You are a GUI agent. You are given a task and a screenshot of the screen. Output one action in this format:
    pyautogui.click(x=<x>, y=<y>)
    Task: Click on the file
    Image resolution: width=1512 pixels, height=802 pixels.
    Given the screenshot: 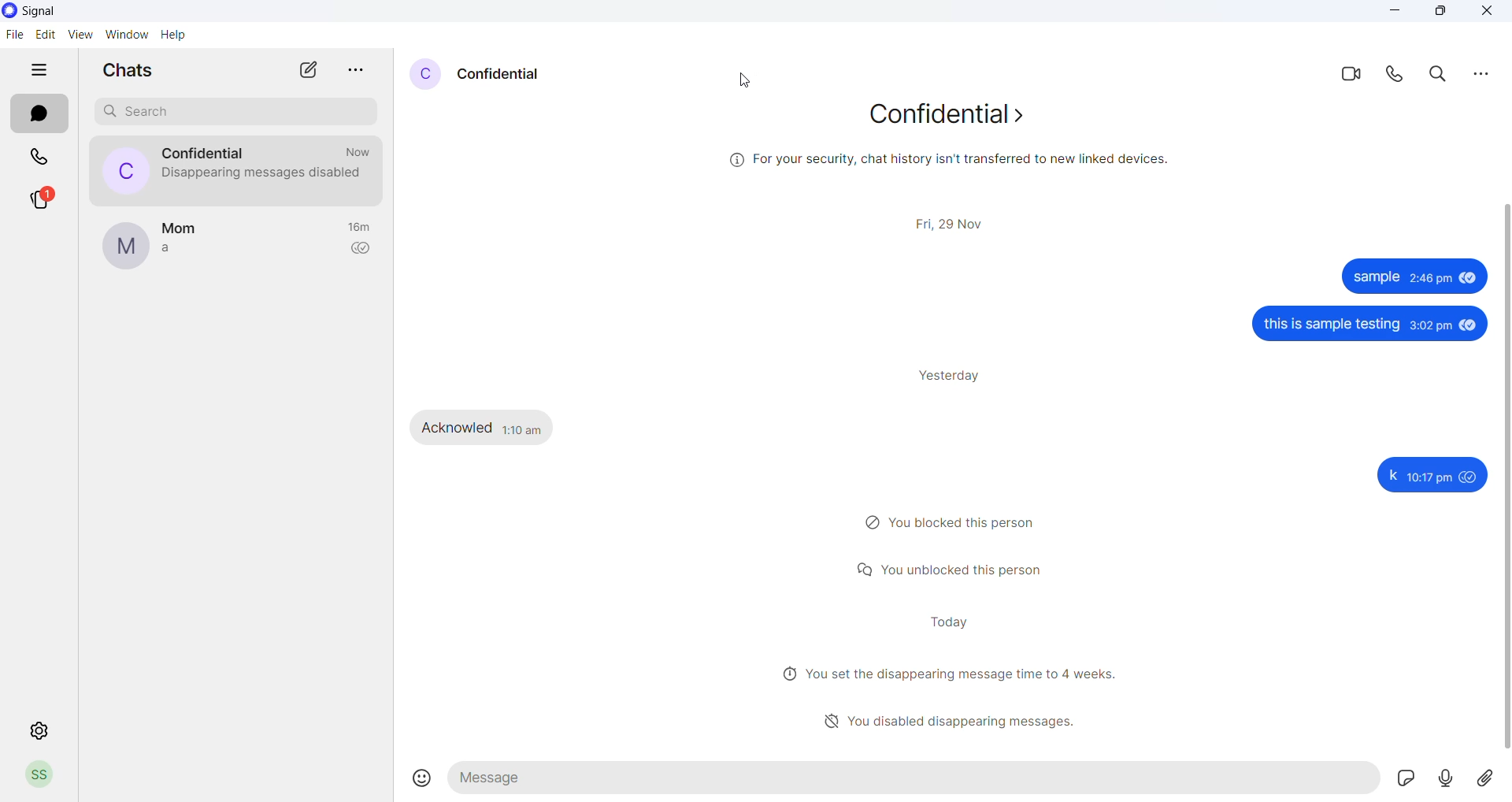 What is the action you would take?
    pyautogui.click(x=14, y=35)
    